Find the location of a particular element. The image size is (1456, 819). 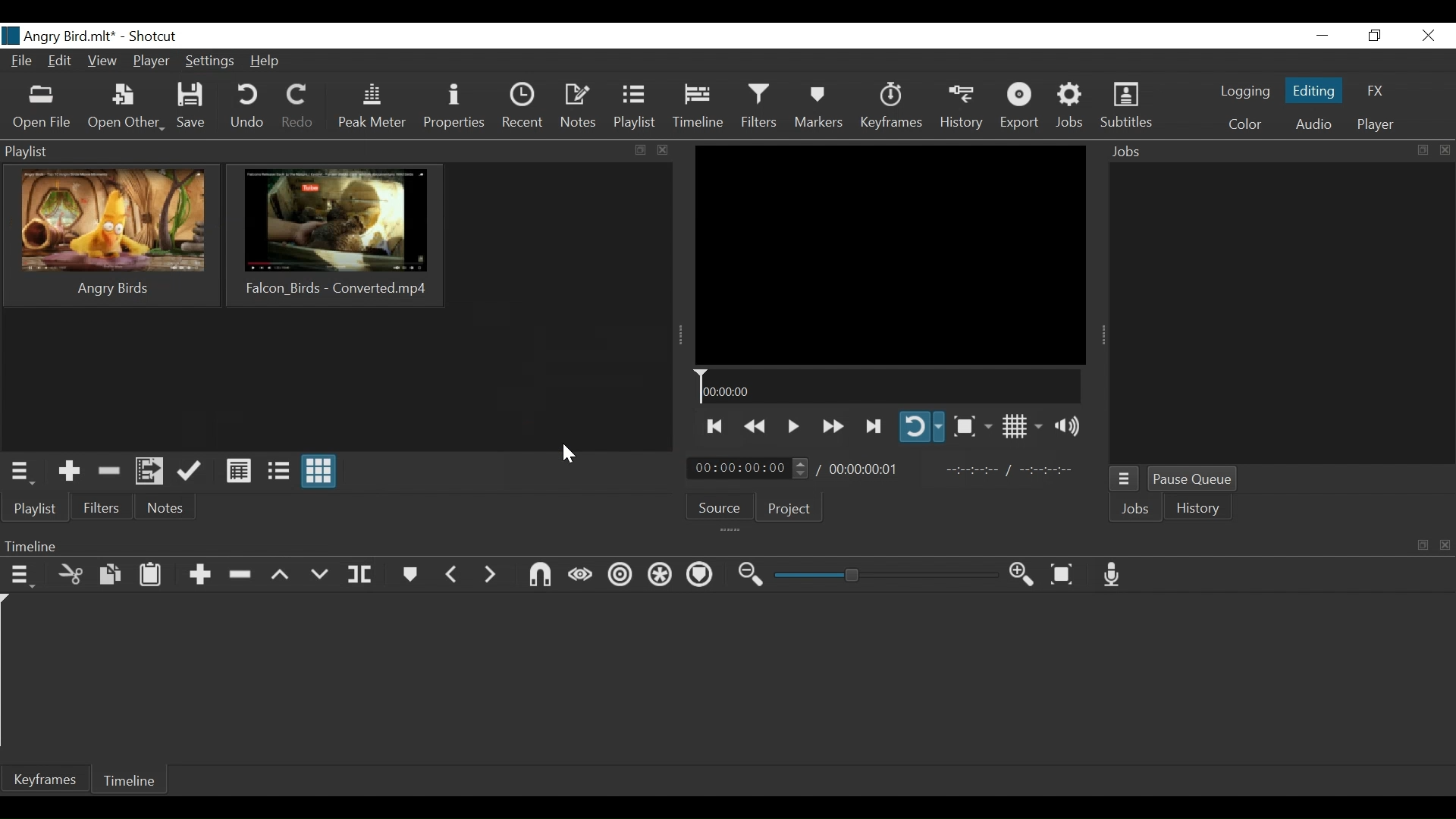

Color is located at coordinates (1245, 124).